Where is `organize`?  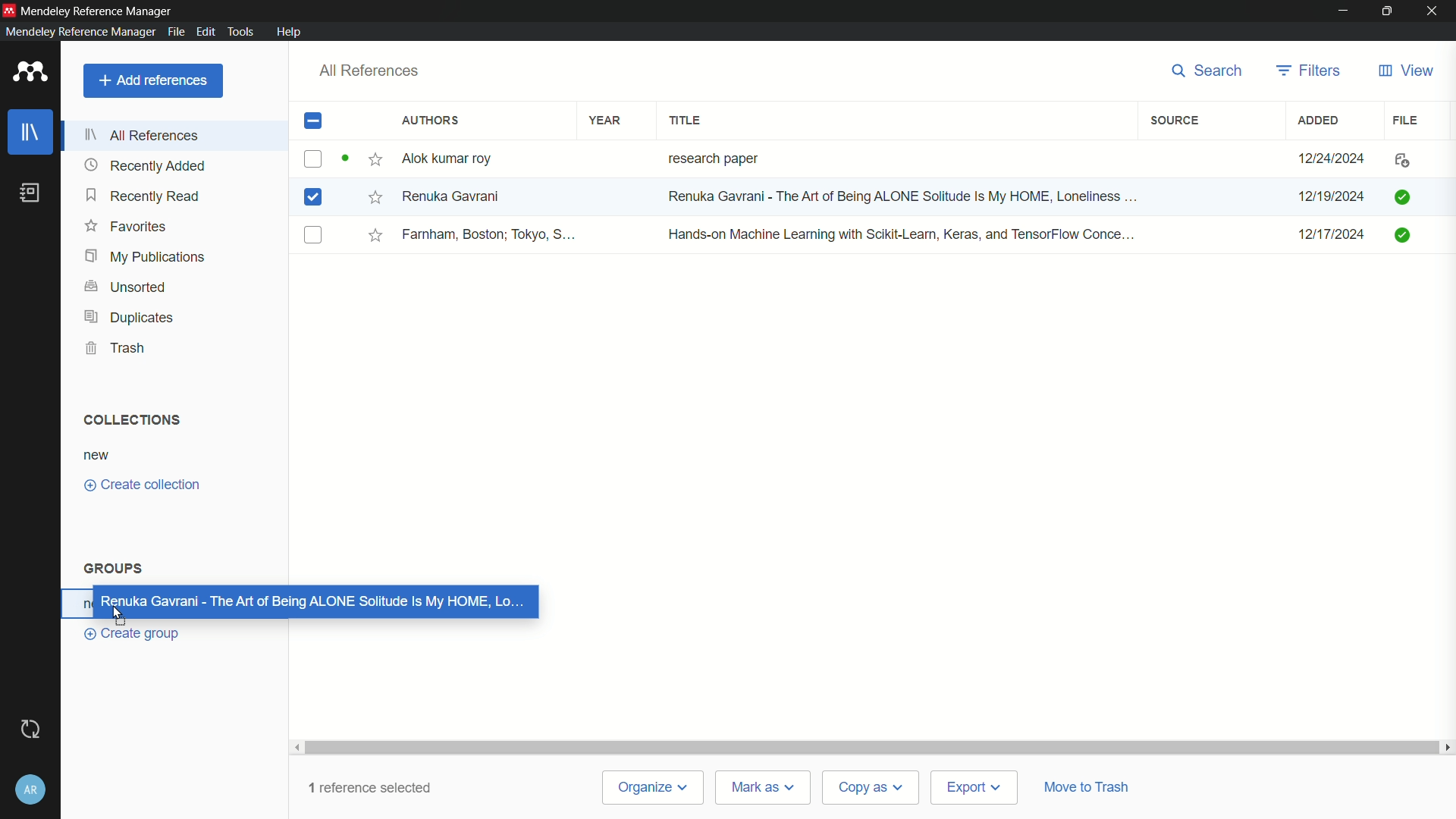
organize is located at coordinates (657, 787).